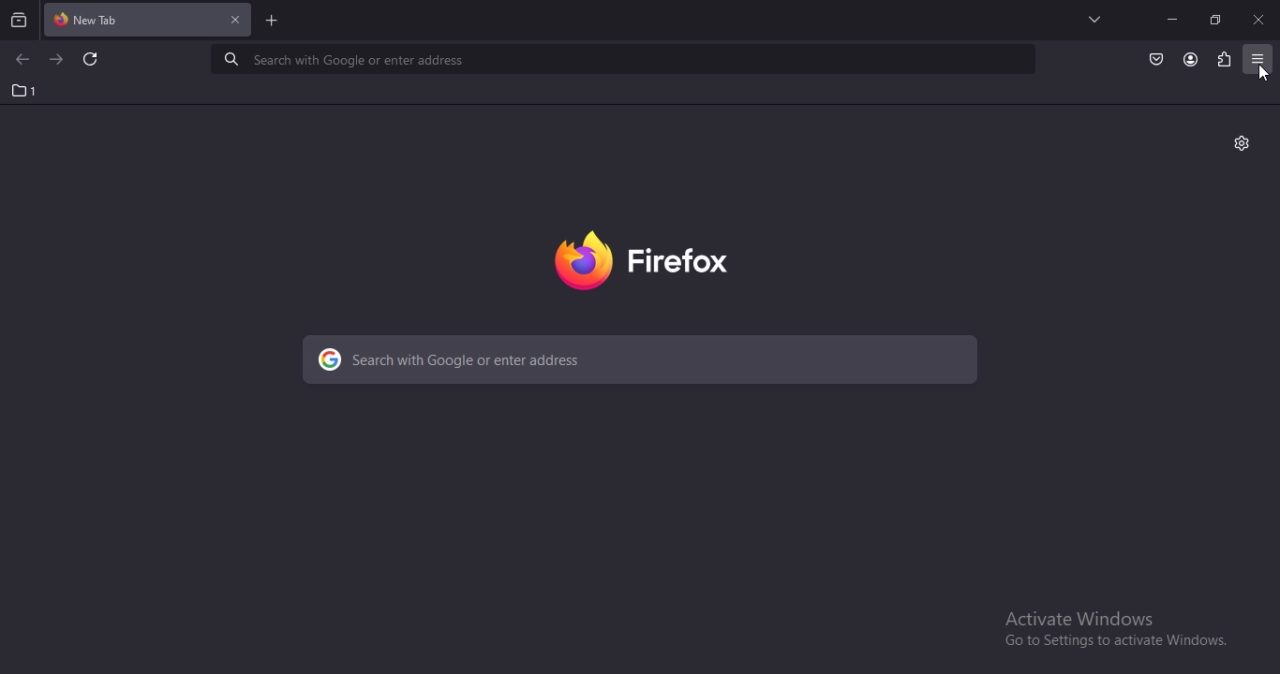 Image resolution: width=1280 pixels, height=674 pixels. Describe the element at coordinates (58, 60) in the screenshot. I see `go forward one page` at that location.